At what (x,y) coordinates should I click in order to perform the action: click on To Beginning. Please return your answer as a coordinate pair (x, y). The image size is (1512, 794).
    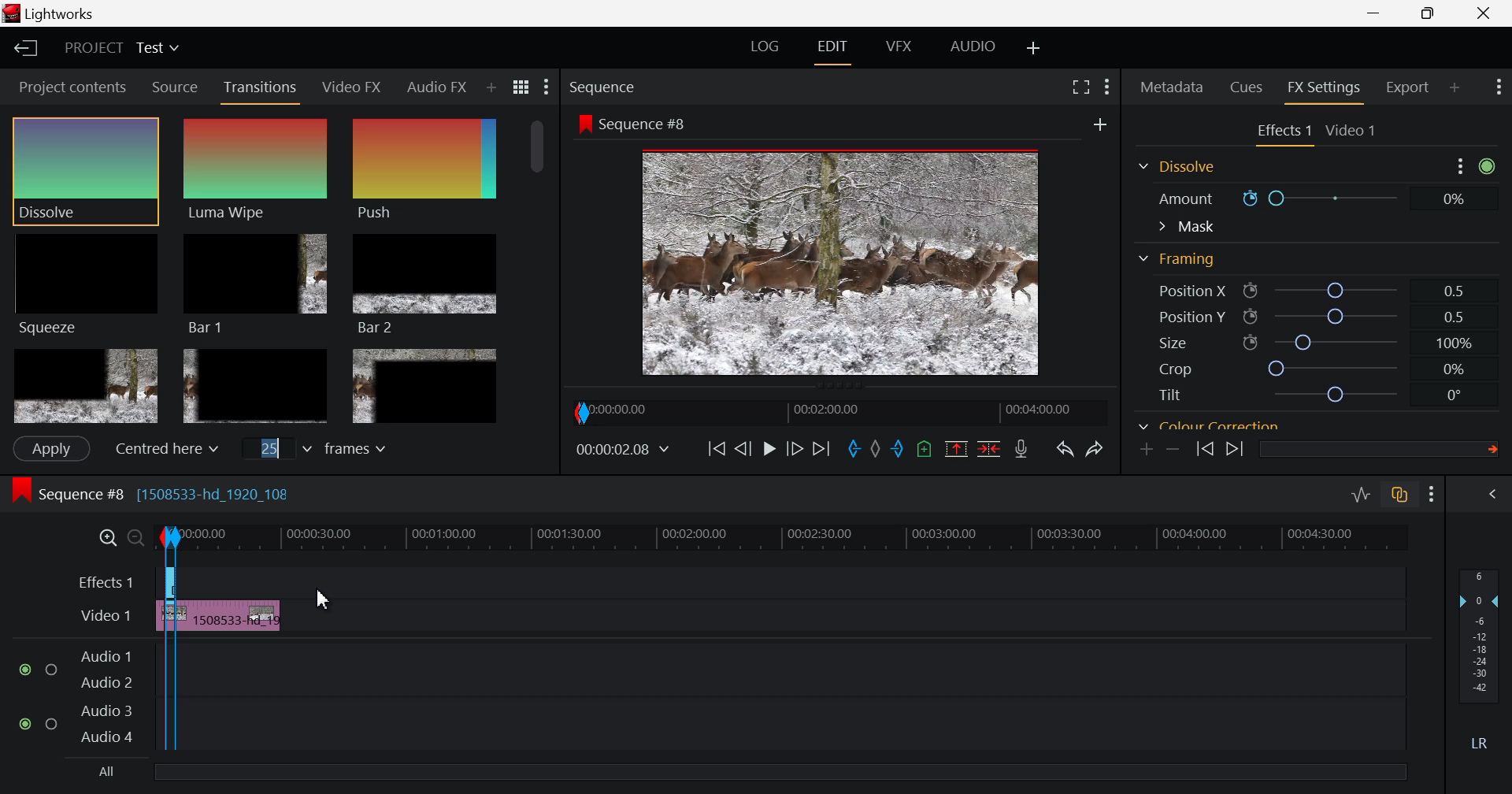
    Looking at the image, I should click on (714, 450).